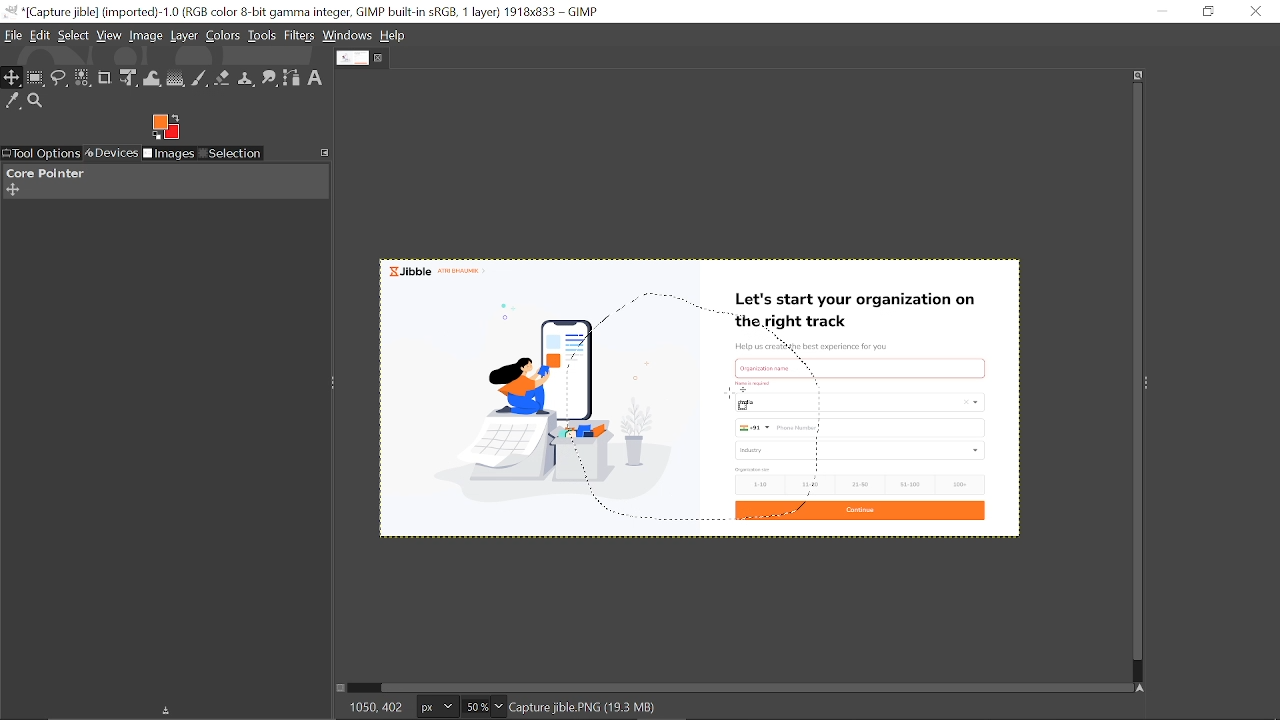 The height and width of the screenshot is (720, 1280). Describe the element at coordinates (36, 79) in the screenshot. I see `Rectangular select tool` at that location.